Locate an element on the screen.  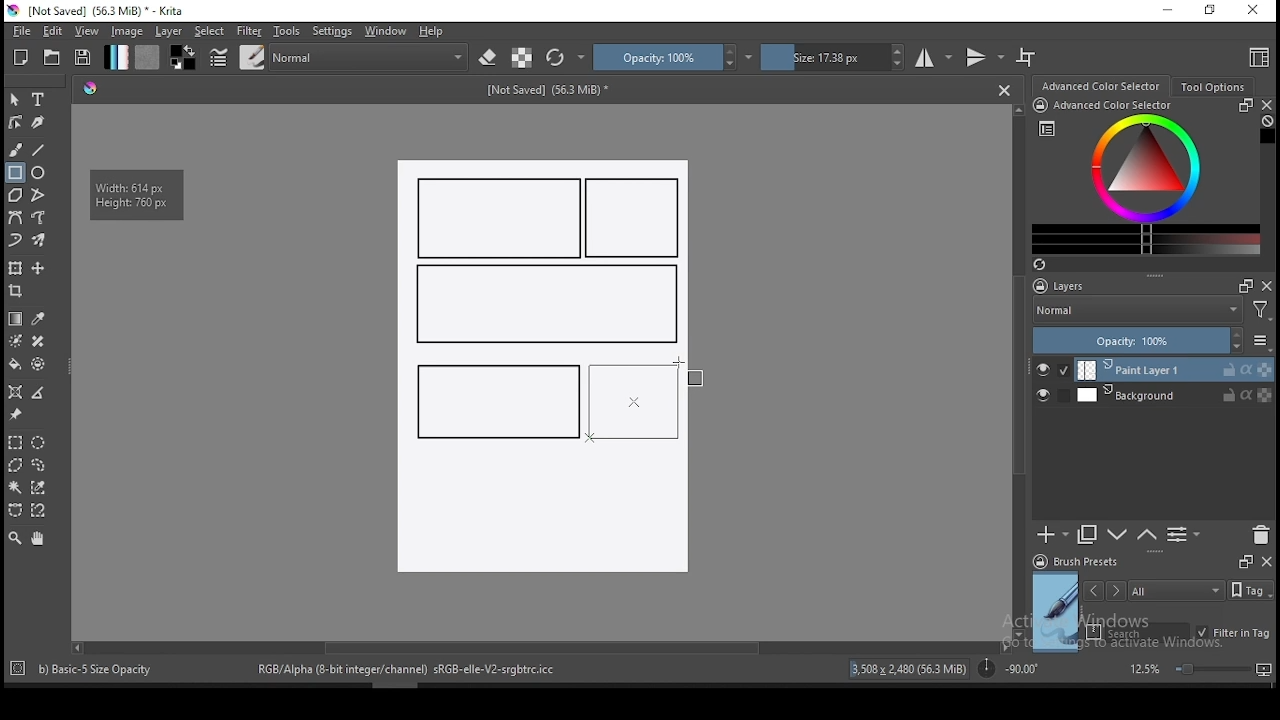
advance color selector is located at coordinates (1103, 85).